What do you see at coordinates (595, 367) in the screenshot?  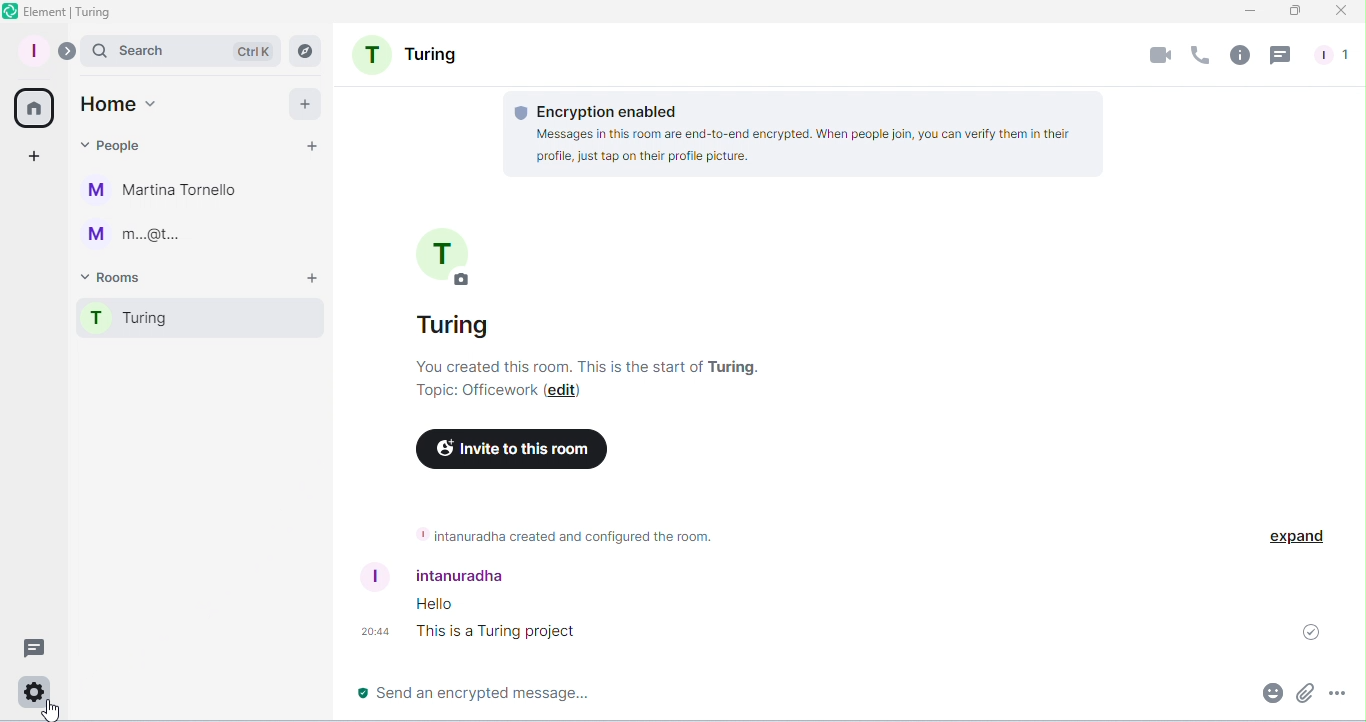 I see `you created this room.` at bounding box center [595, 367].